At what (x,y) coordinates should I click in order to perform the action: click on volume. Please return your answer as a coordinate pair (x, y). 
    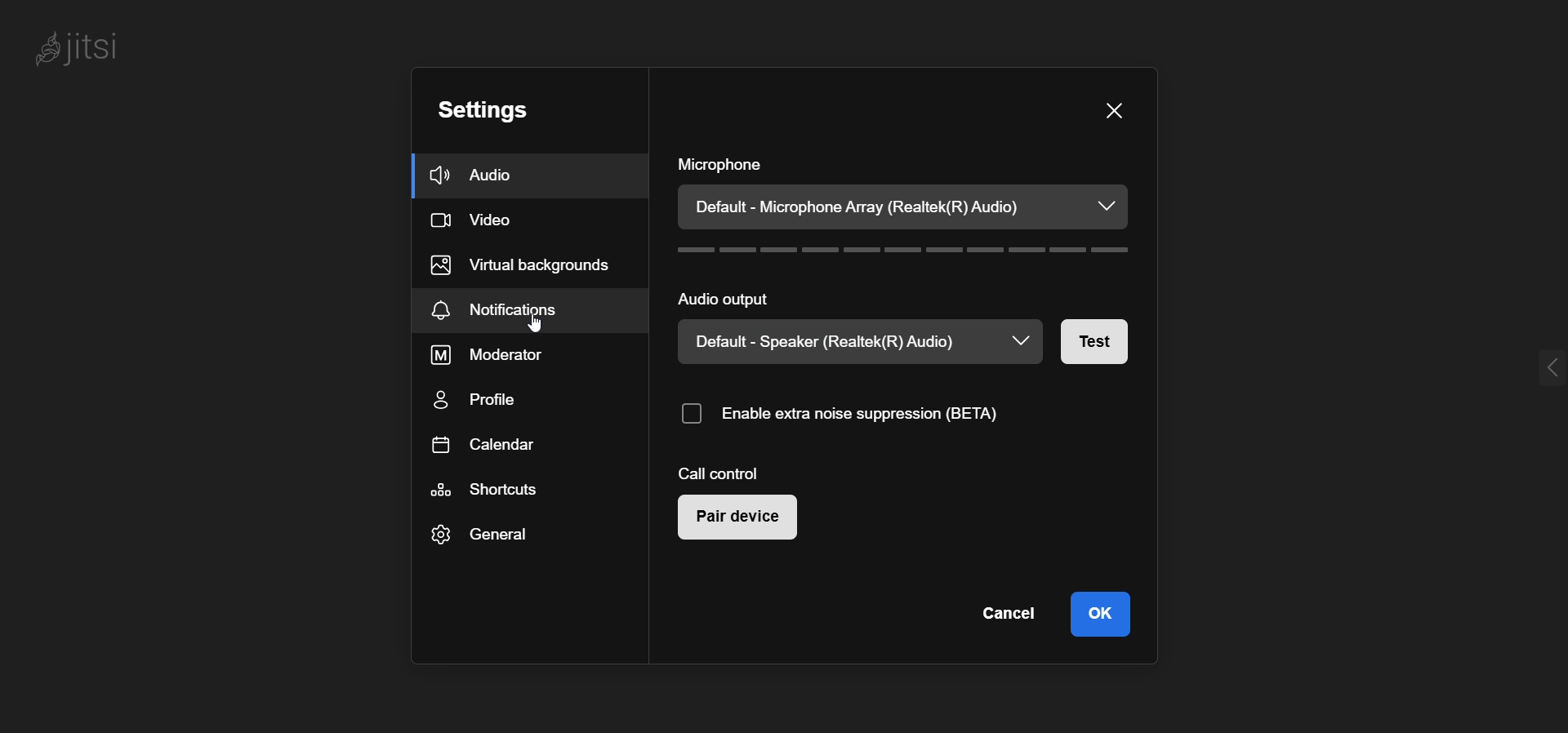
    Looking at the image, I should click on (912, 250).